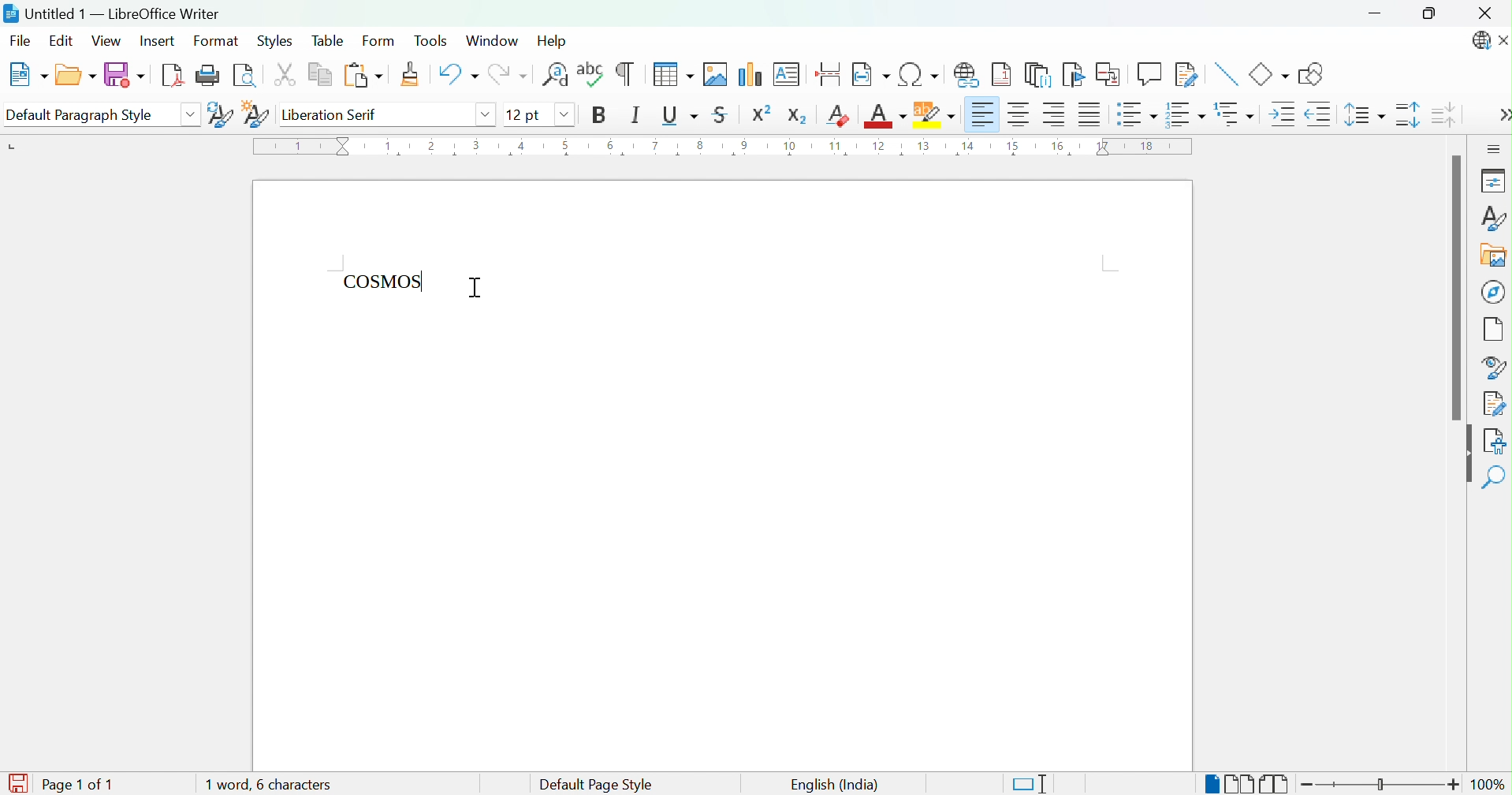 The image size is (1512, 795). Describe the element at coordinates (560, 114) in the screenshot. I see `Drop down` at that location.